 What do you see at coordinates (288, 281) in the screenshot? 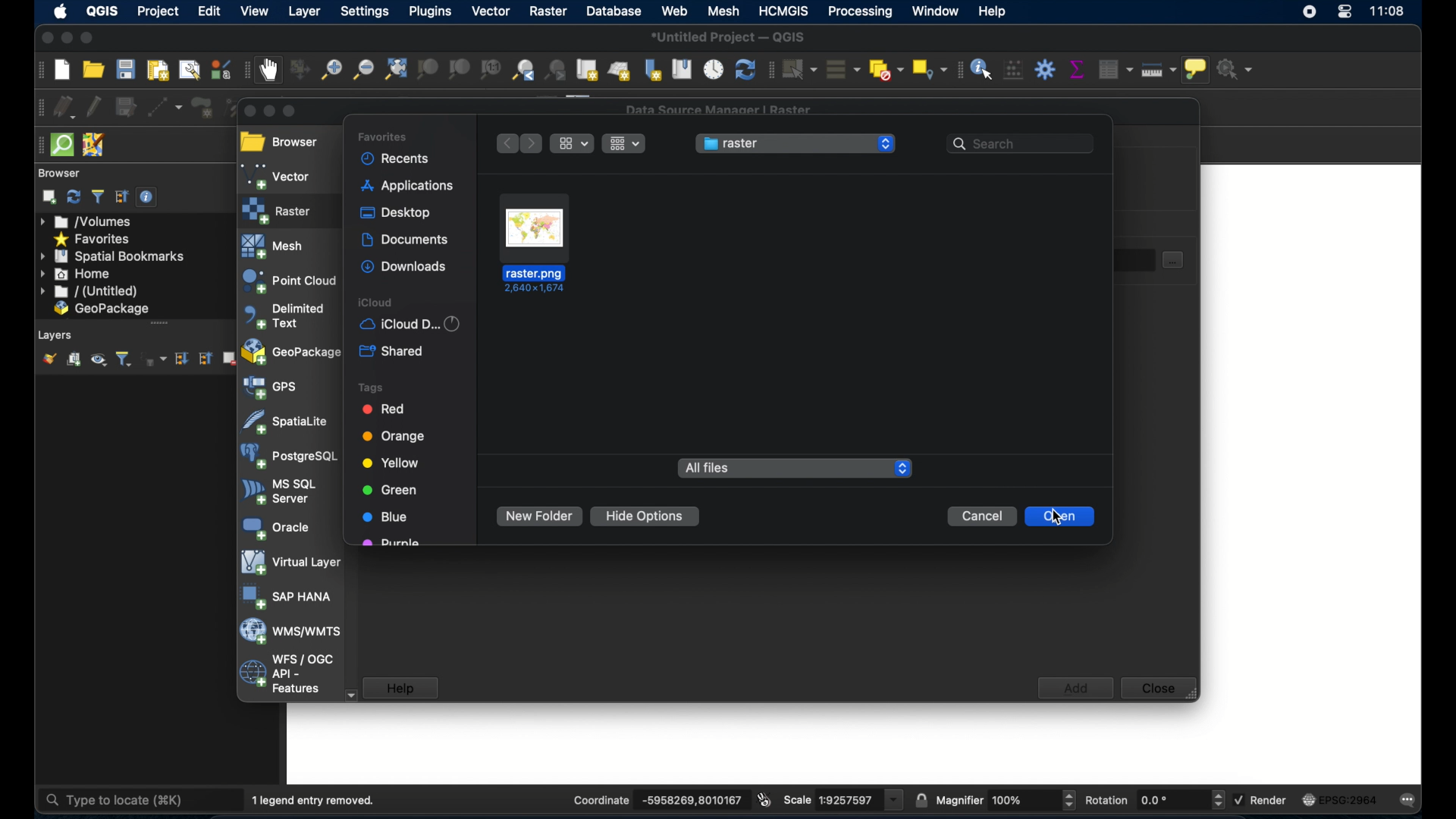
I see `point cloud` at bounding box center [288, 281].